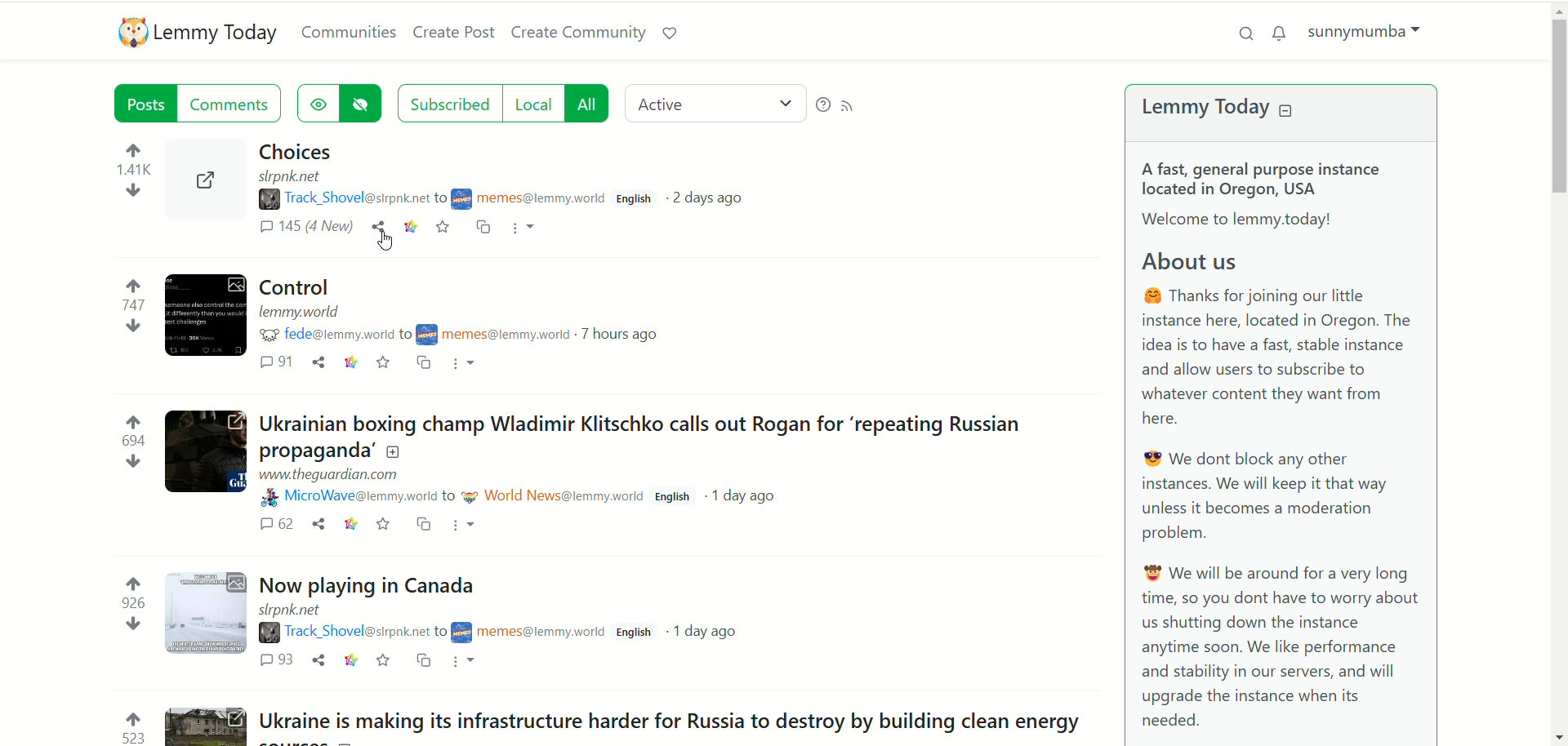  Describe the element at coordinates (462, 662) in the screenshot. I see `more` at that location.